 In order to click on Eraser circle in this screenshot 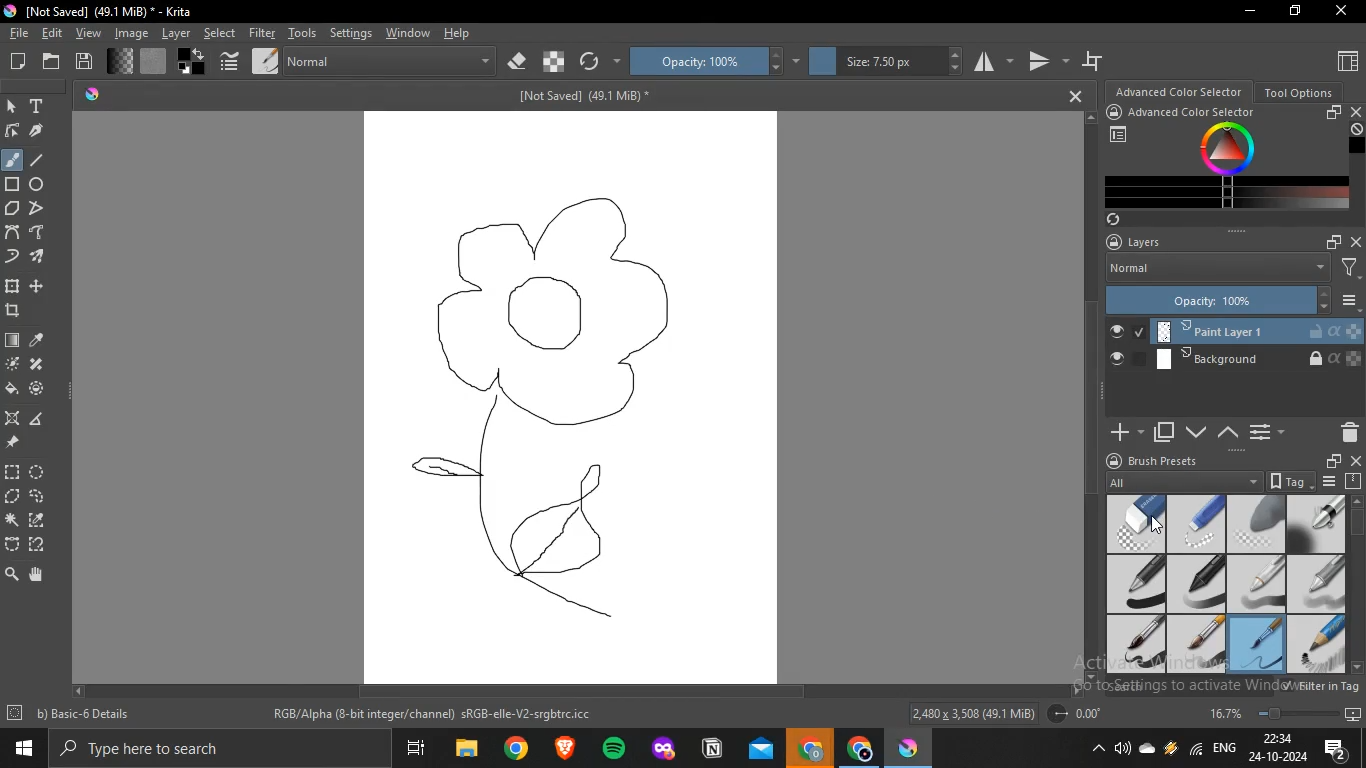, I will do `click(1134, 524)`.